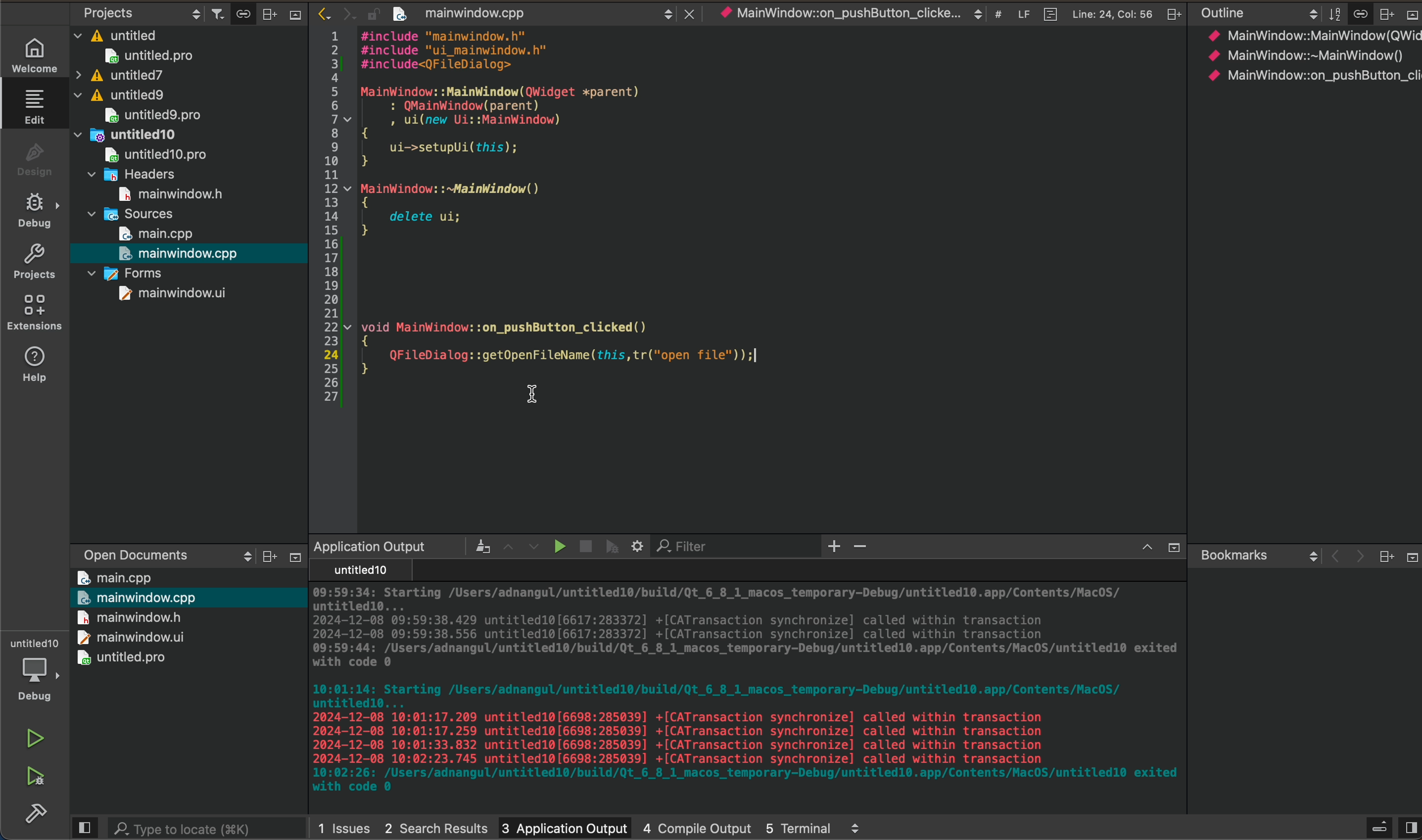  Describe the element at coordinates (236, 556) in the screenshot. I see `scroll` at that location.